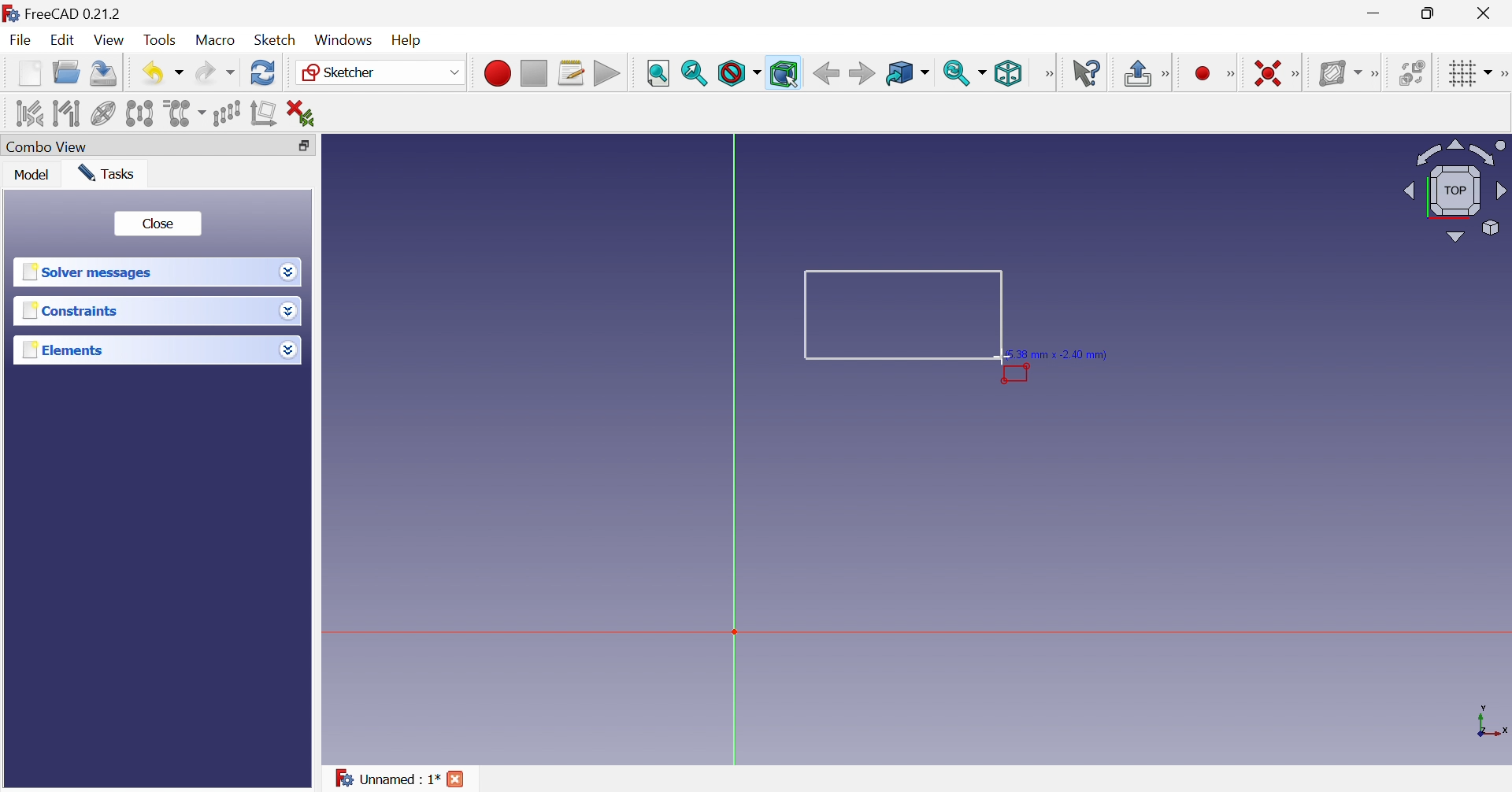 The image size is (1512, 792). What do you see at coordinates (534, 72) in the screenshot?
I see `Stop macro recording` at bounding box center [534, 72].